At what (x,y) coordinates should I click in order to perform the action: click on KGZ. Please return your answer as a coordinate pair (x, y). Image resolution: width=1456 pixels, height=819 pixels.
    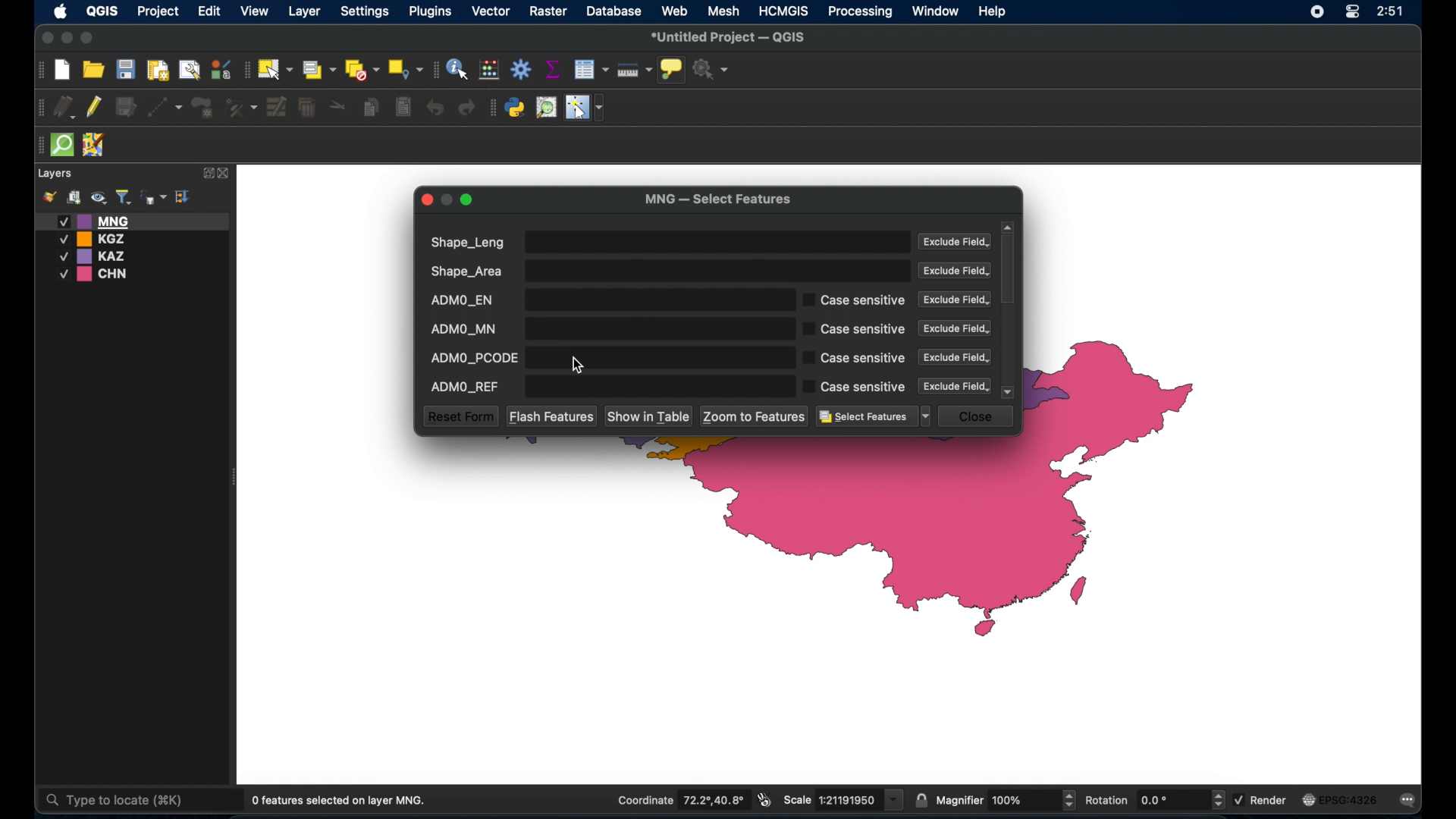
    Looking at the image, I should click on (96, 239).